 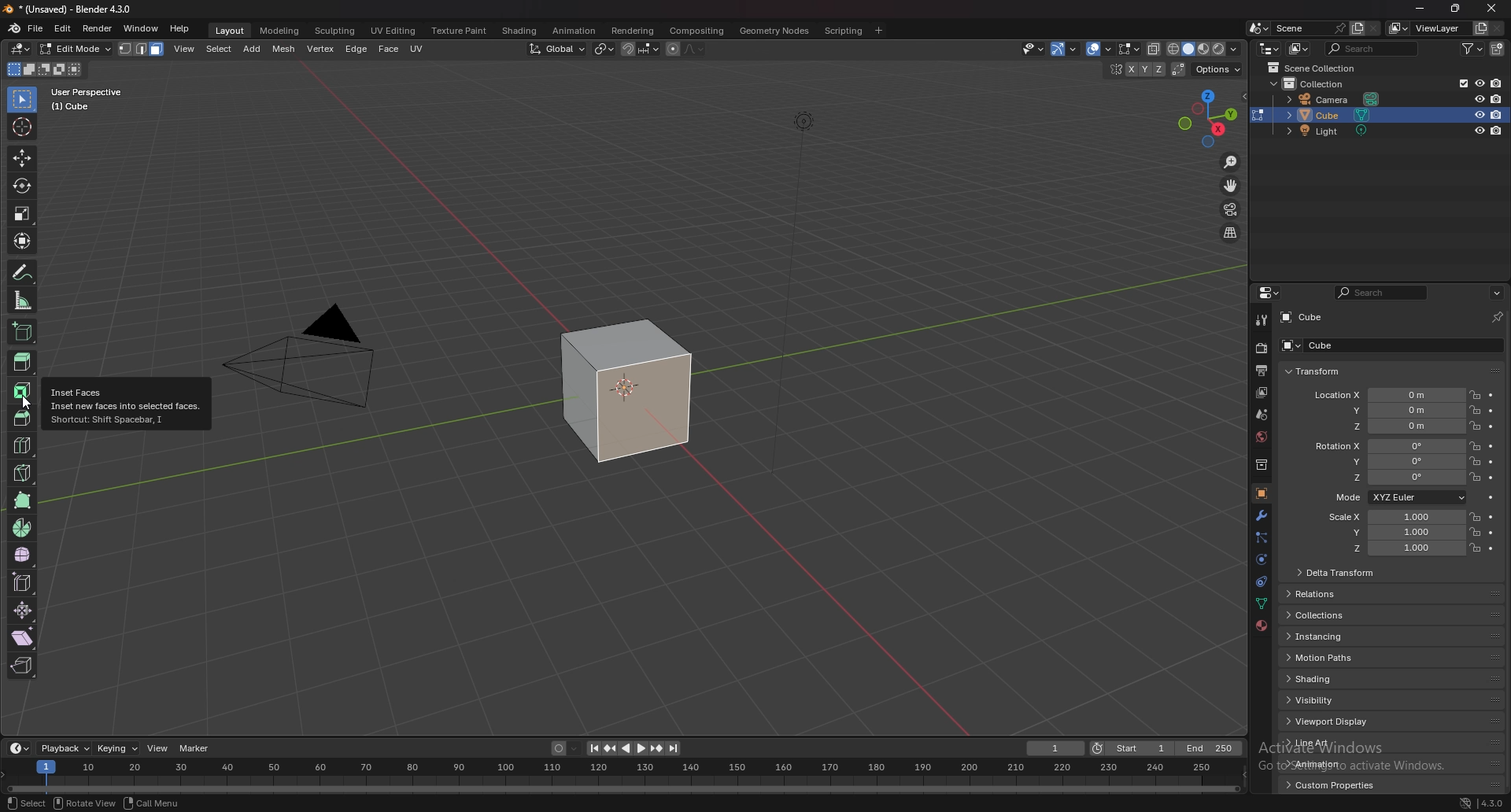 What do you see at coordinates (281, 31) in the screenshot?
I see `modeling` at bounding box center [281, 31].